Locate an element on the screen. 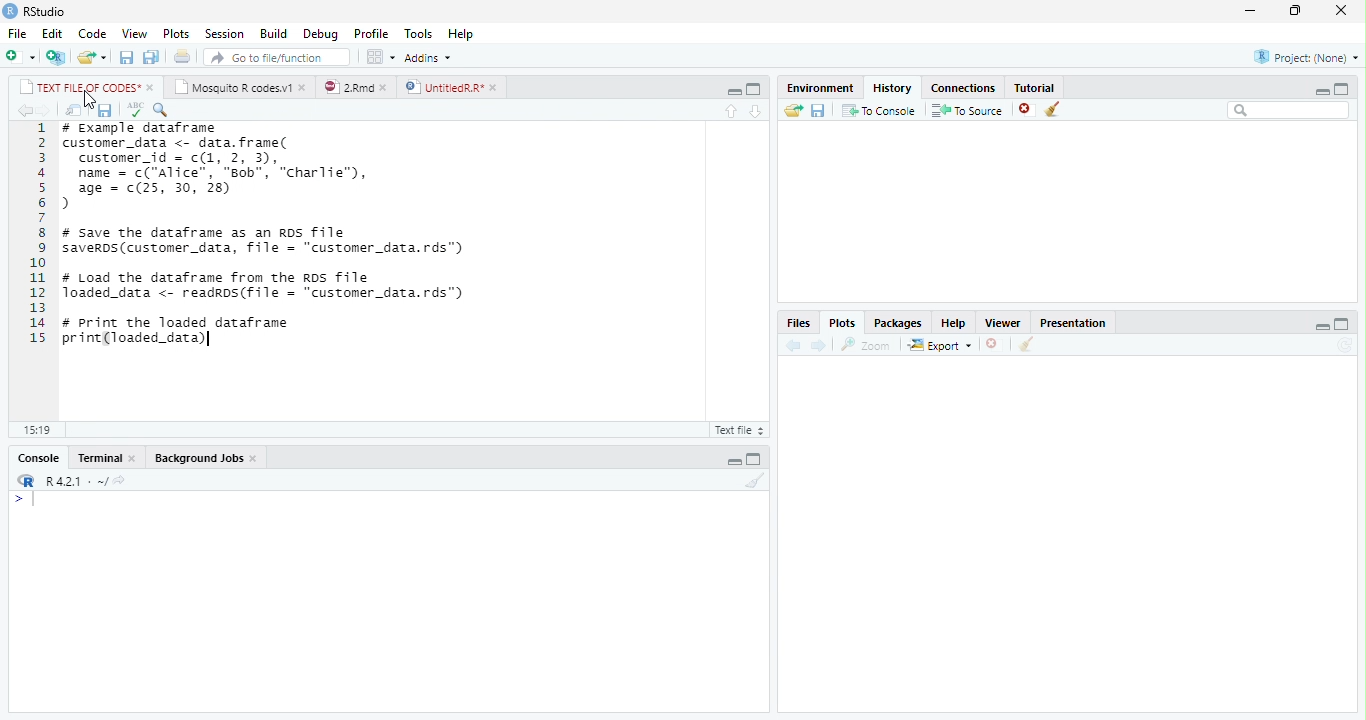  UntitledR.R is located at coordinates (443, 86).